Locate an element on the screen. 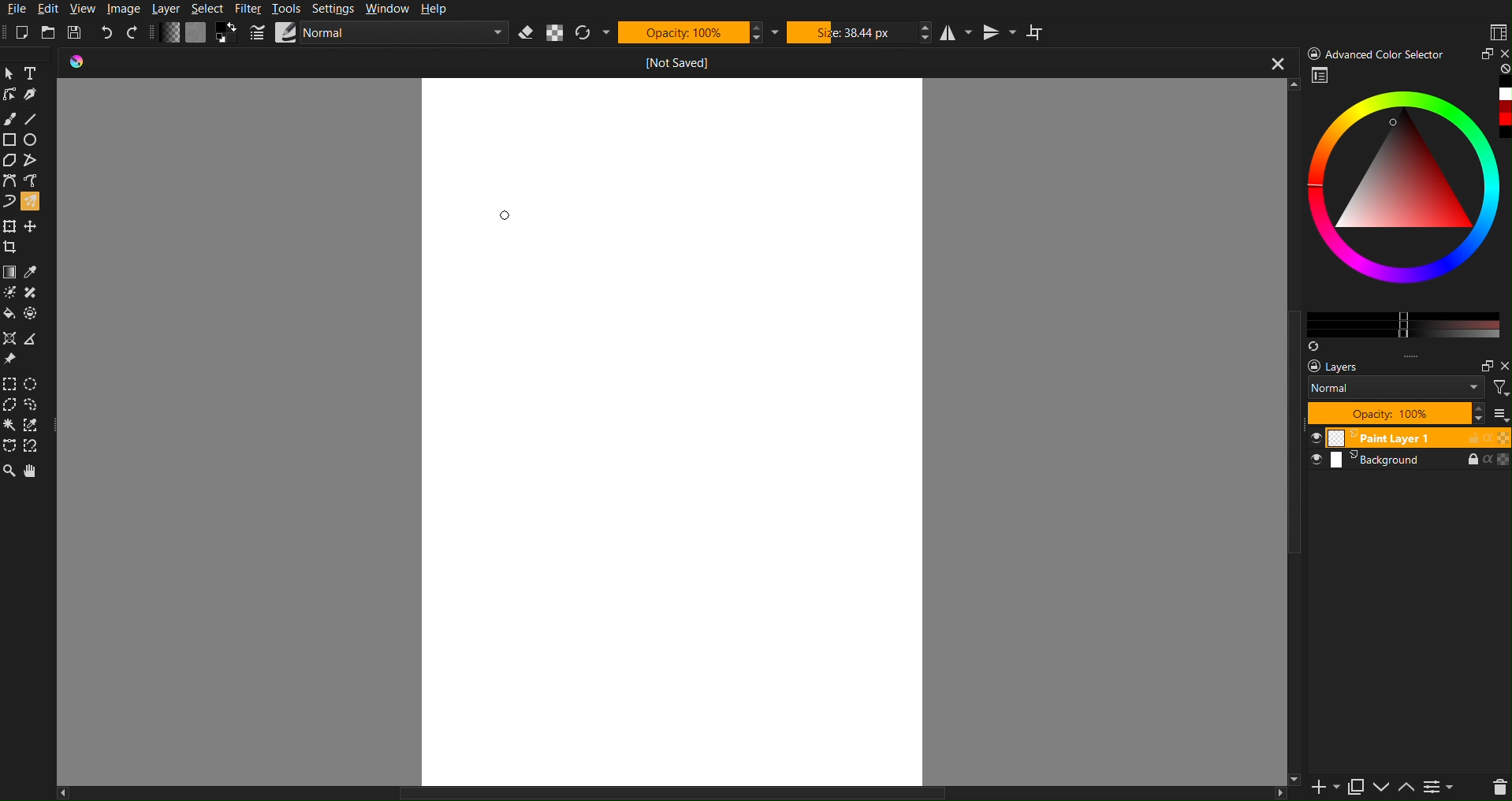 Image resolution: width=1512 pixels, height=801 pixels. Line Options is located at coordinates (258, 33).